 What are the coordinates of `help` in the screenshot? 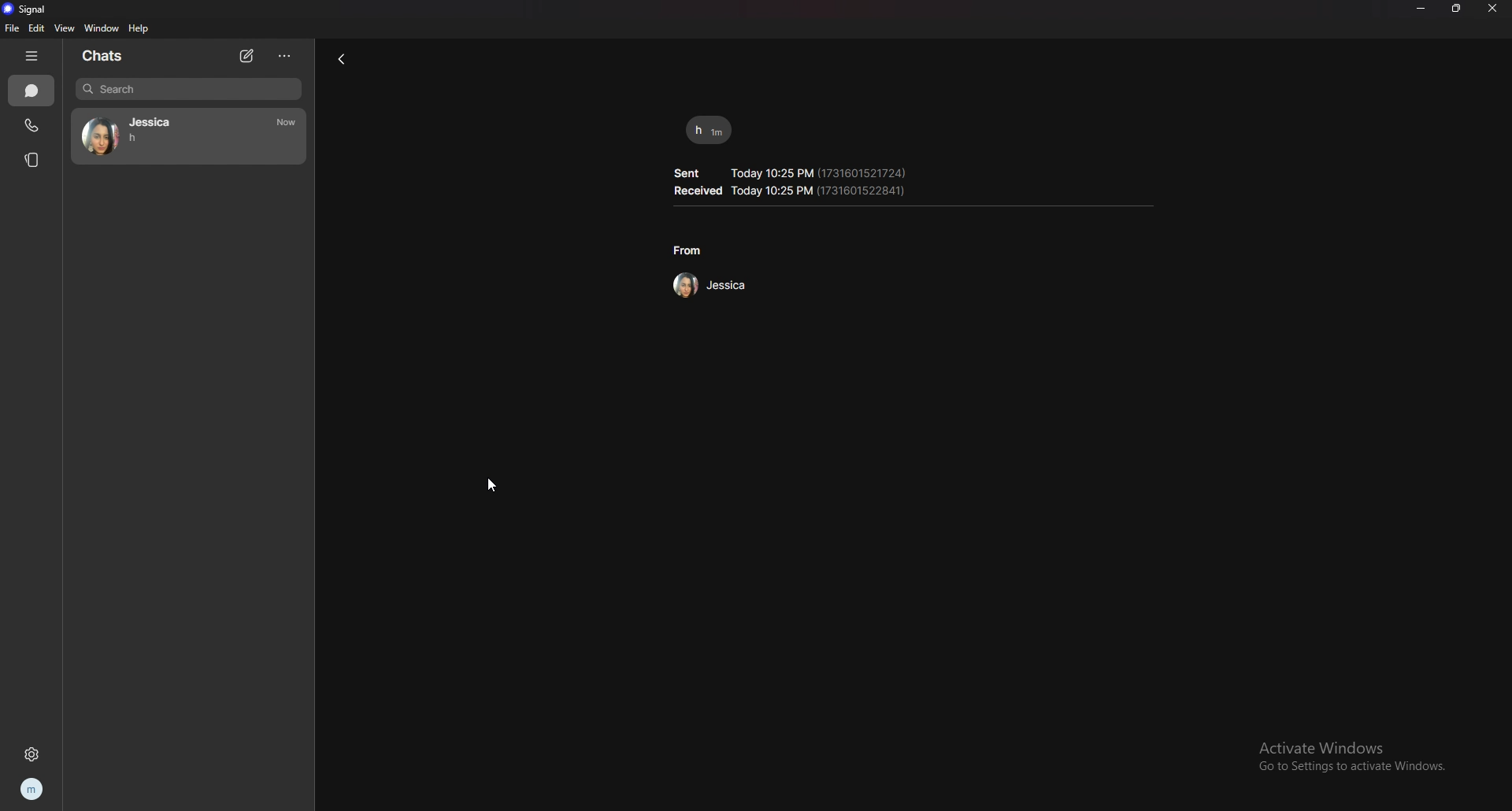 It's located at (140, 28).